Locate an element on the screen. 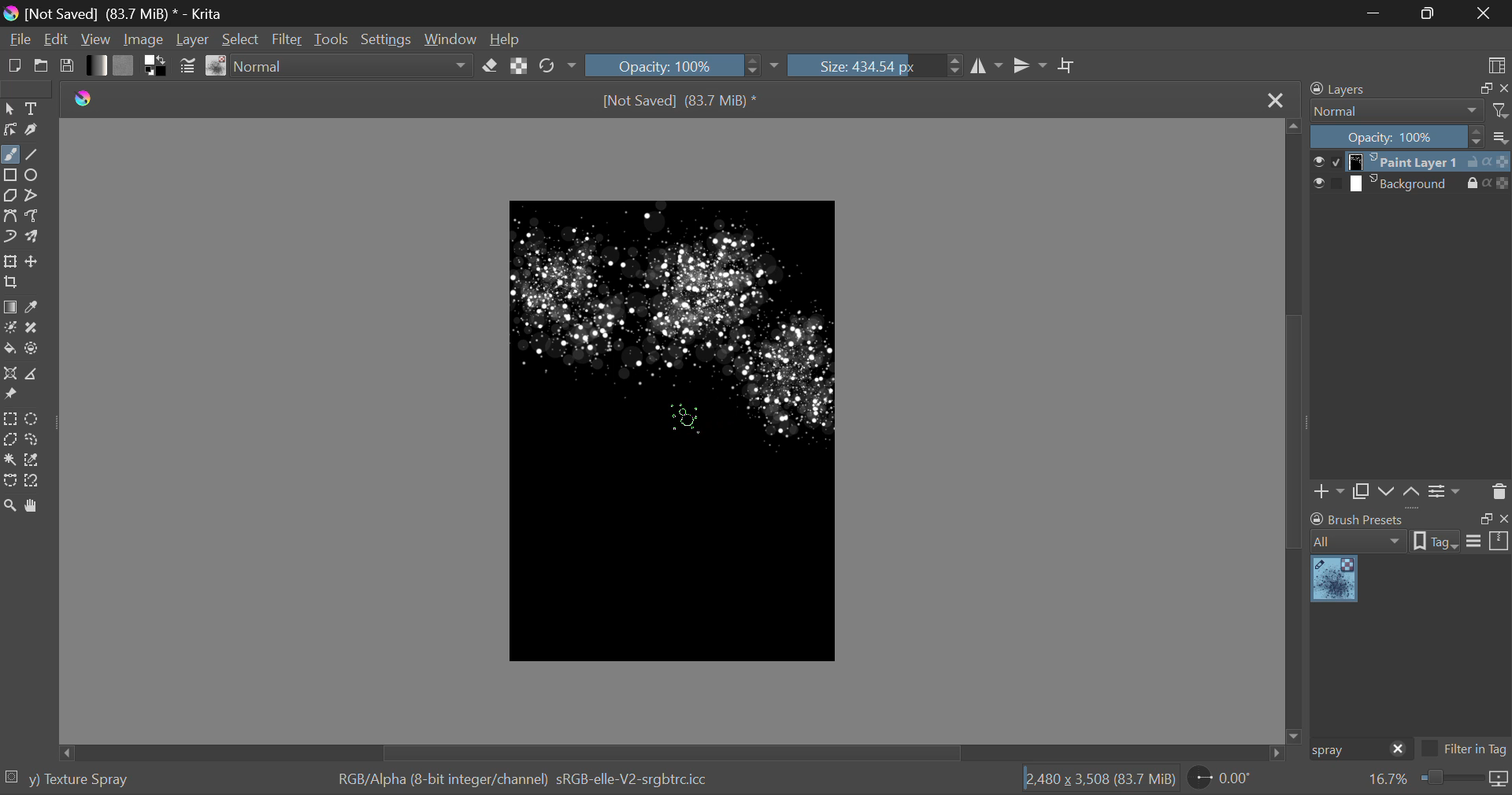 The width and height of the screenshot is (1512, 795). zoom slider is located at coordinates (1450, 779).